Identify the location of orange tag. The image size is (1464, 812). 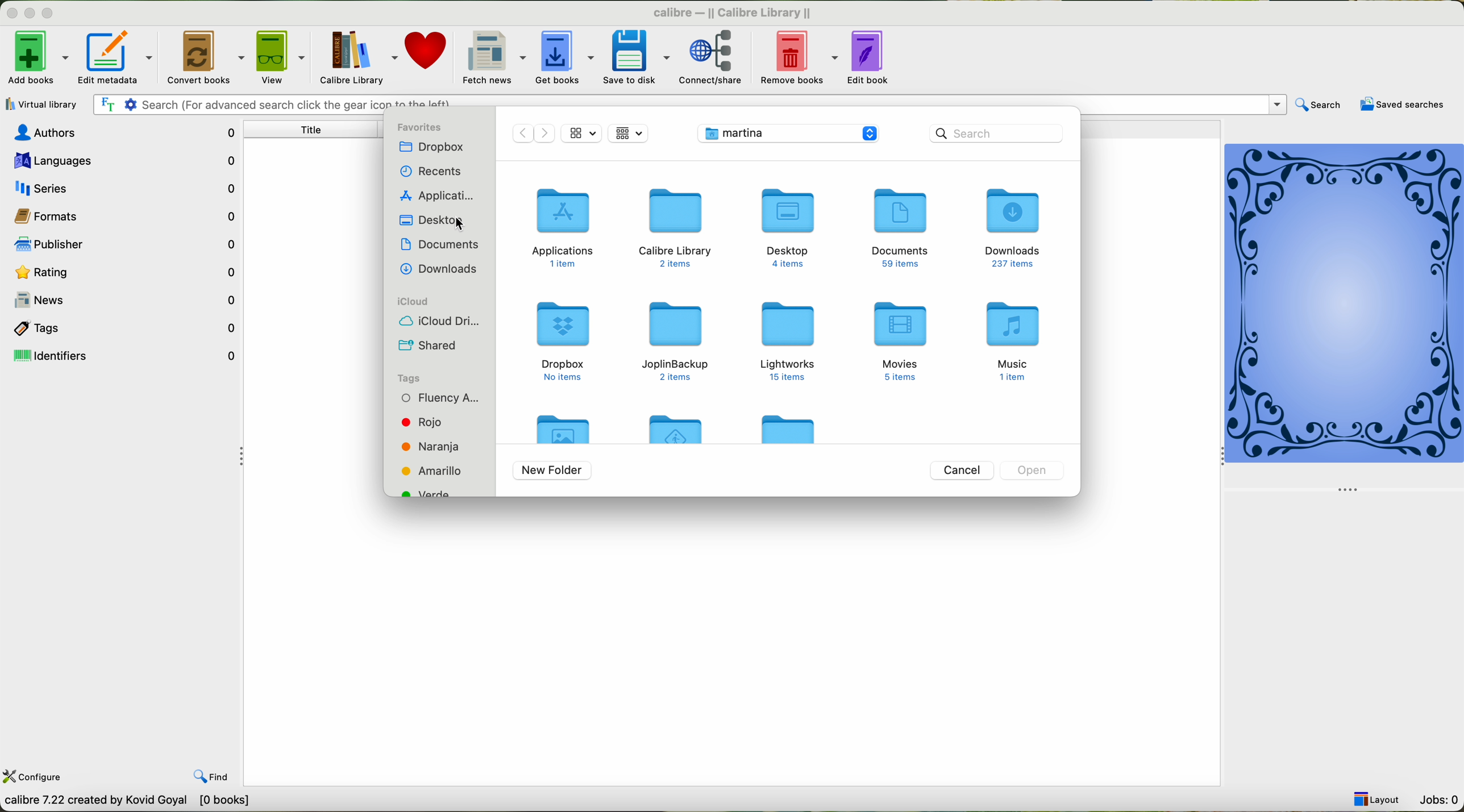
(432, 447).